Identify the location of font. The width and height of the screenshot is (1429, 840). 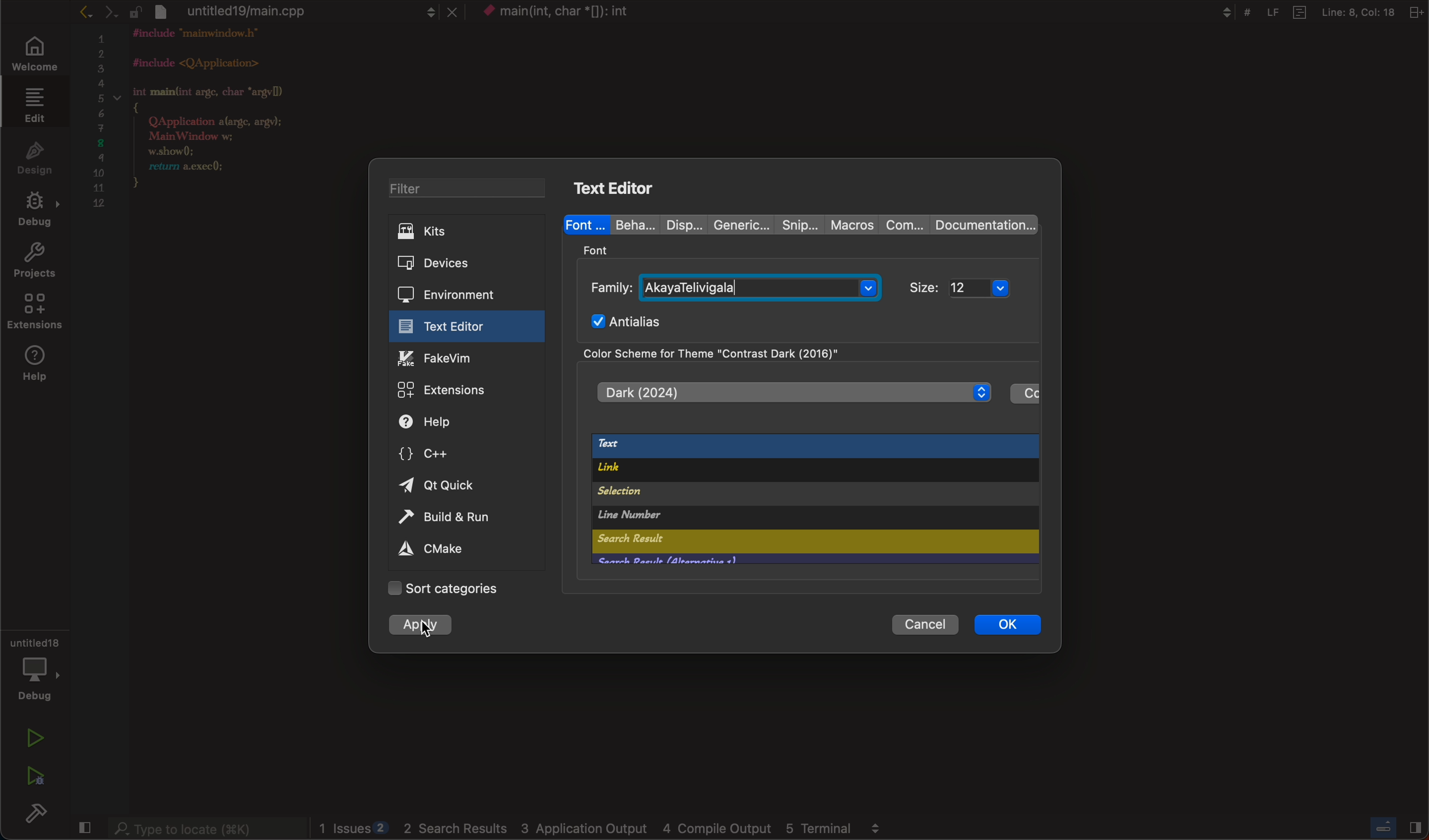
(586, 223).